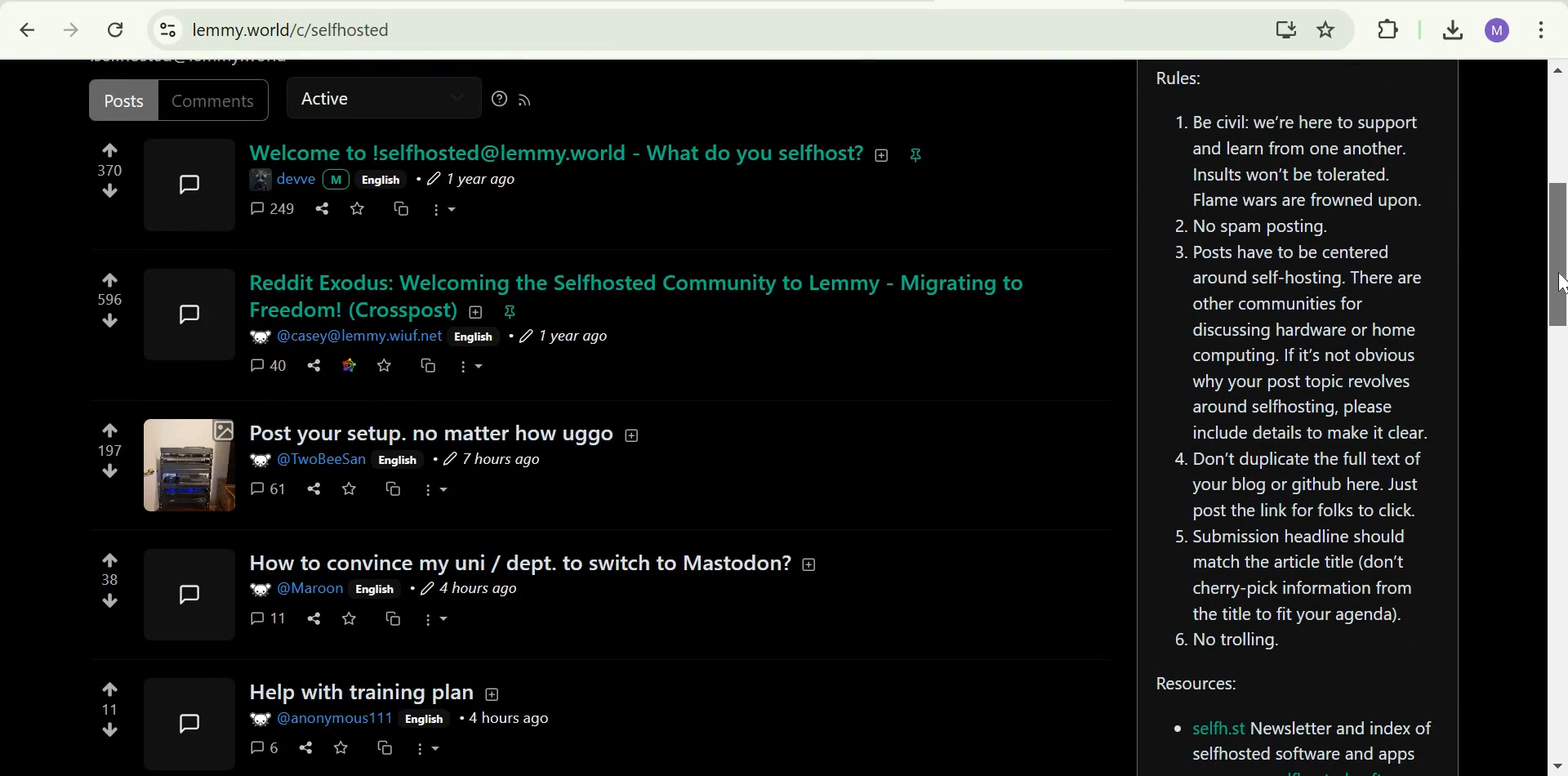  I want to click on cross-post, so click(430, 364).